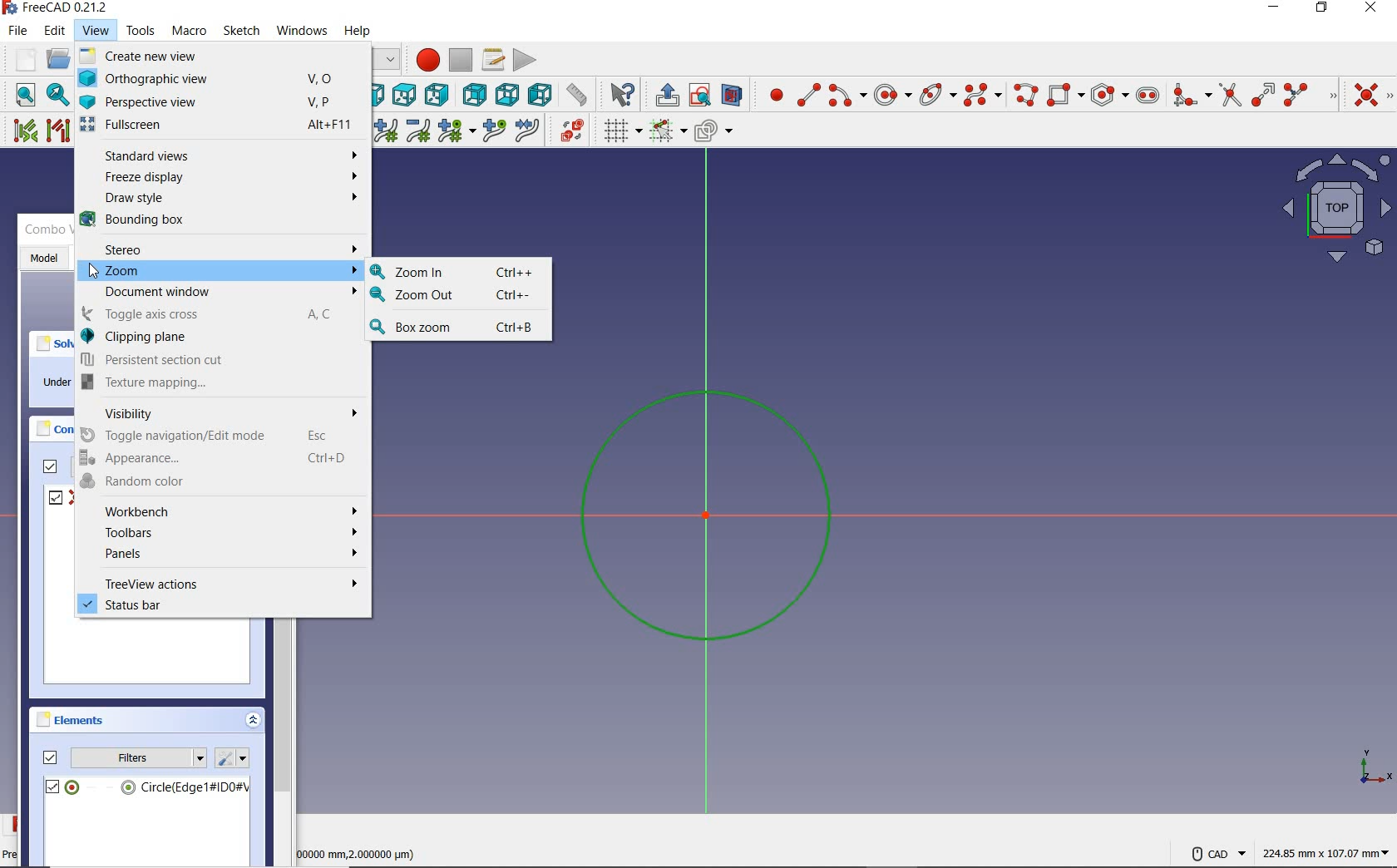 This screenshot has width=1397, height=868. I want to click on , so click(667, 129).